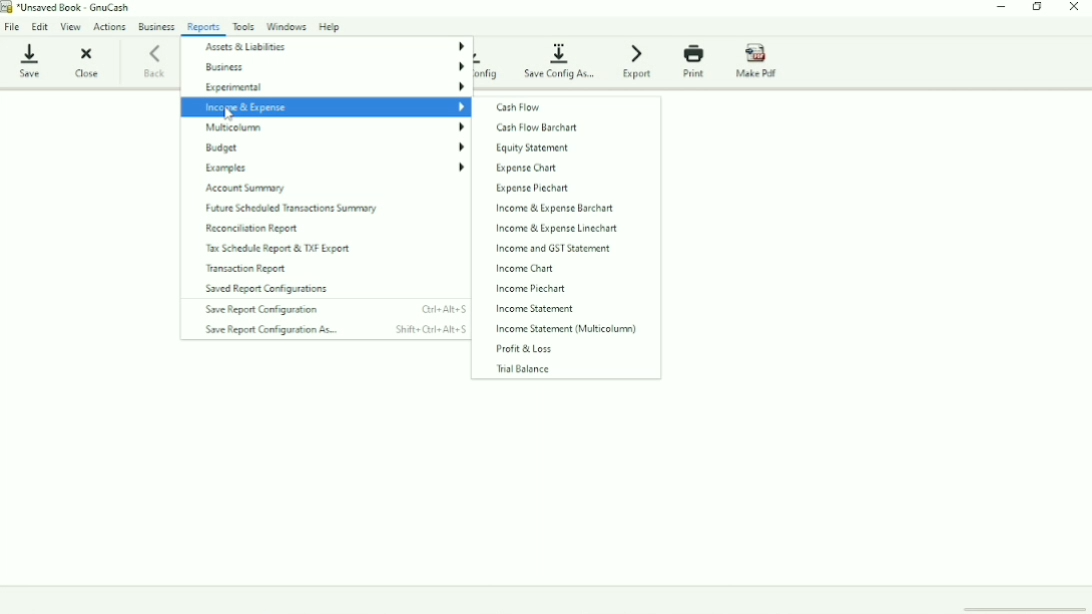 This screenshot has width=1092, height=614. I want to click on Back, so click(157, 60).